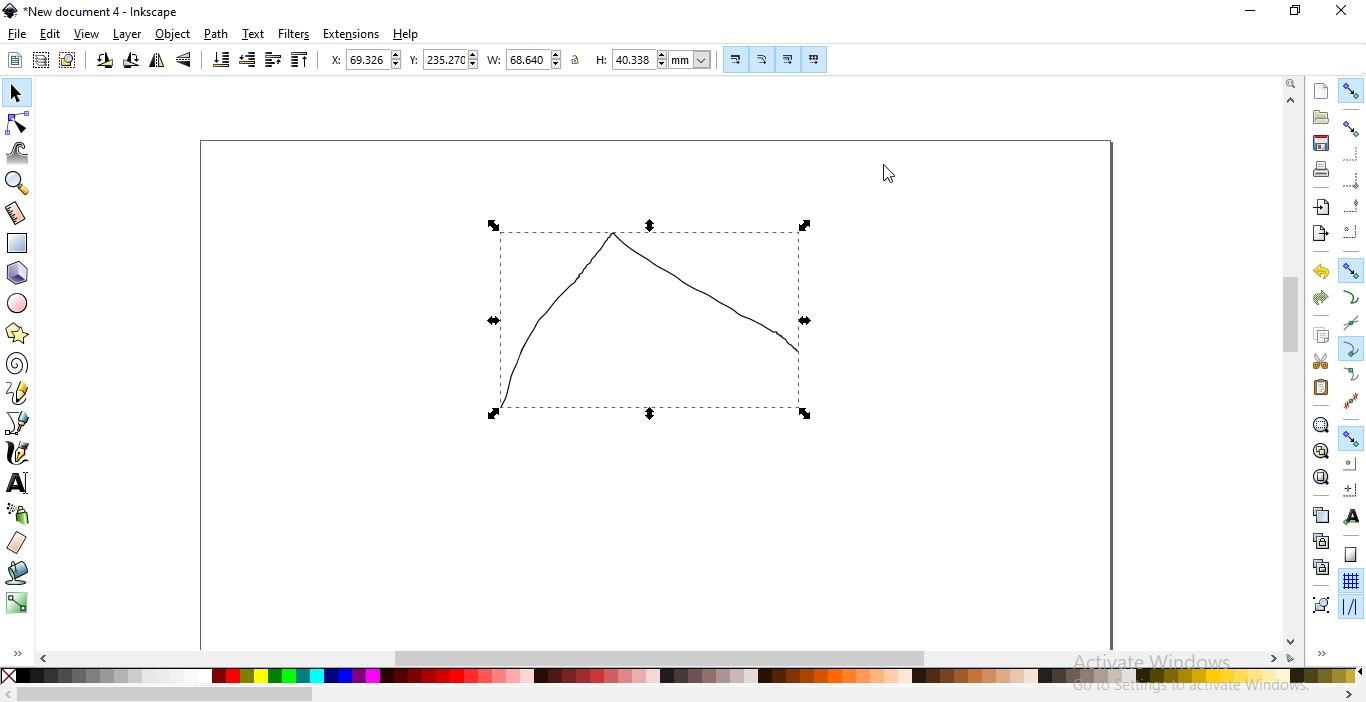  What do you see at coordinates (815, 59) in the screenshot?
I see `move patterns along with objects` at bounding box center [815, 59].